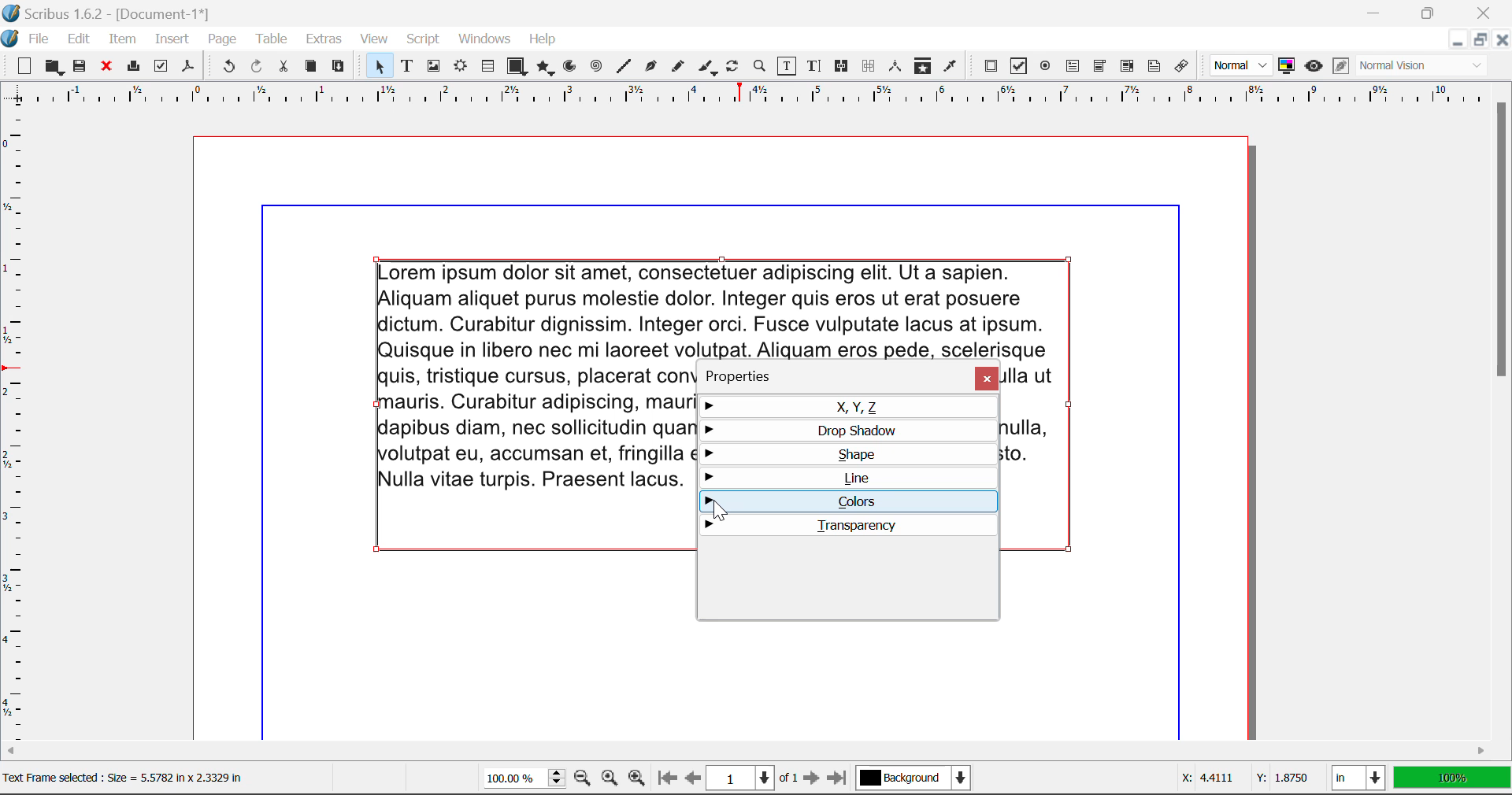 The image size is (1512, 795). Describe the element at coordinates (950, 68) in the screenshot. I see `Eyedropper` at that location.